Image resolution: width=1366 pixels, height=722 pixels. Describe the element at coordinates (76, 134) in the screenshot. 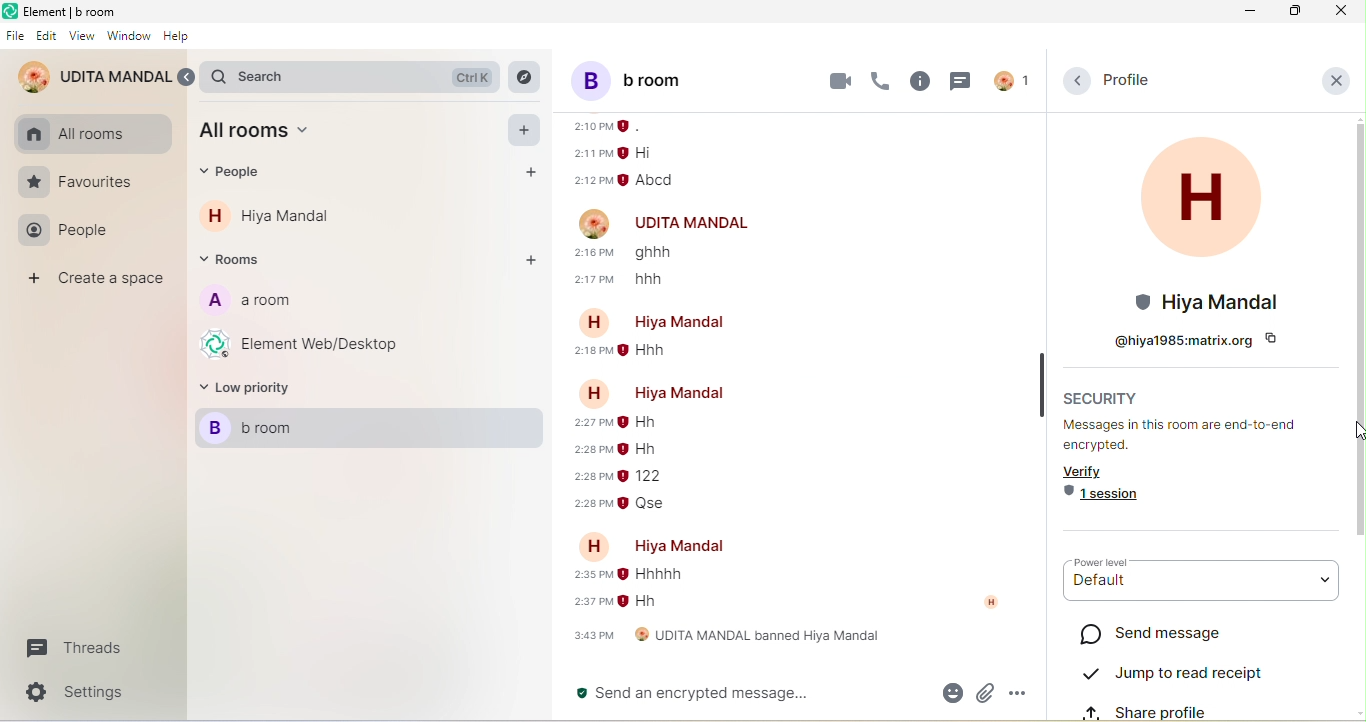

I see `all rooms` at that location.